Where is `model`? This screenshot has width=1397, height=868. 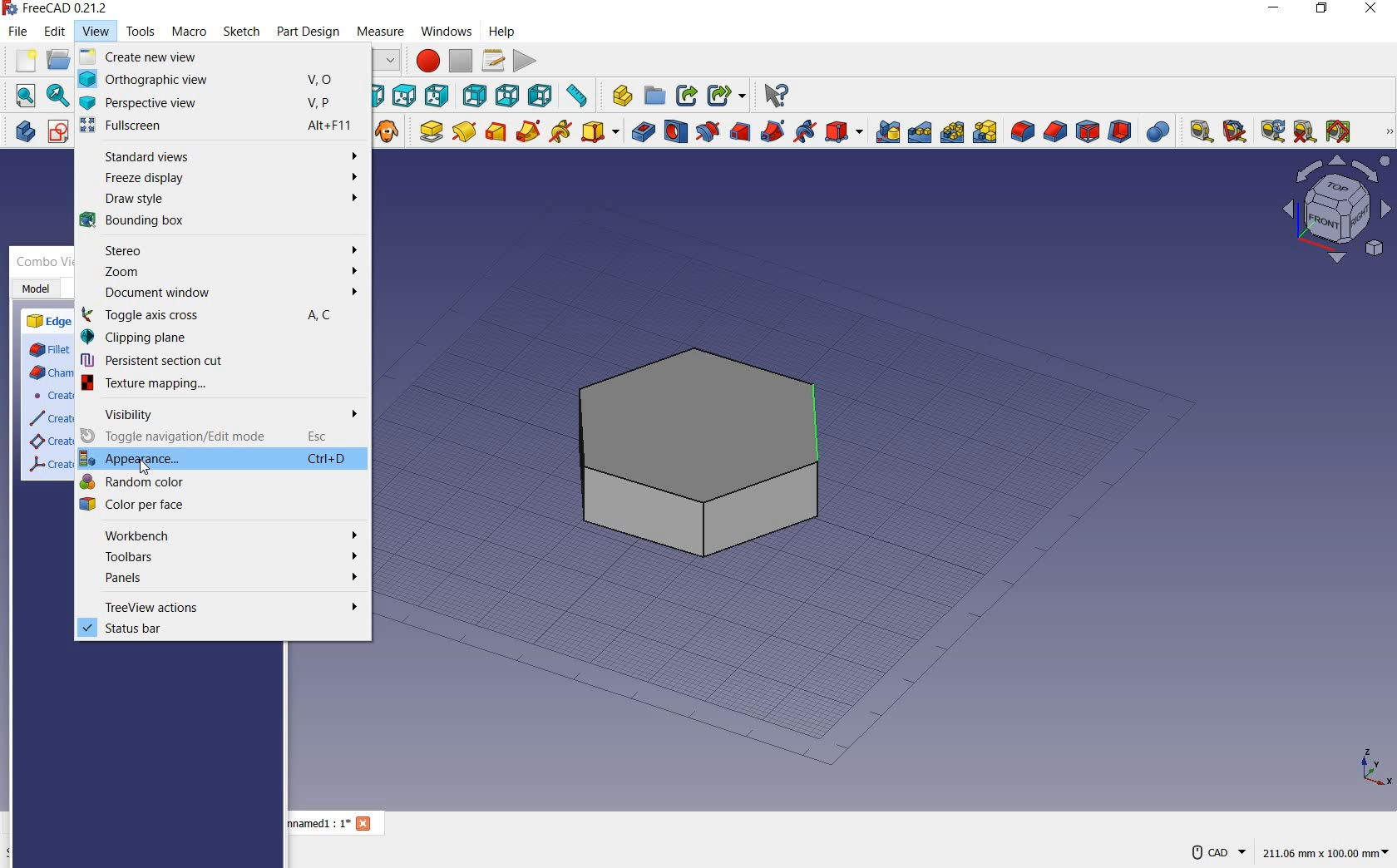 model is located at coordinates (37, 289).